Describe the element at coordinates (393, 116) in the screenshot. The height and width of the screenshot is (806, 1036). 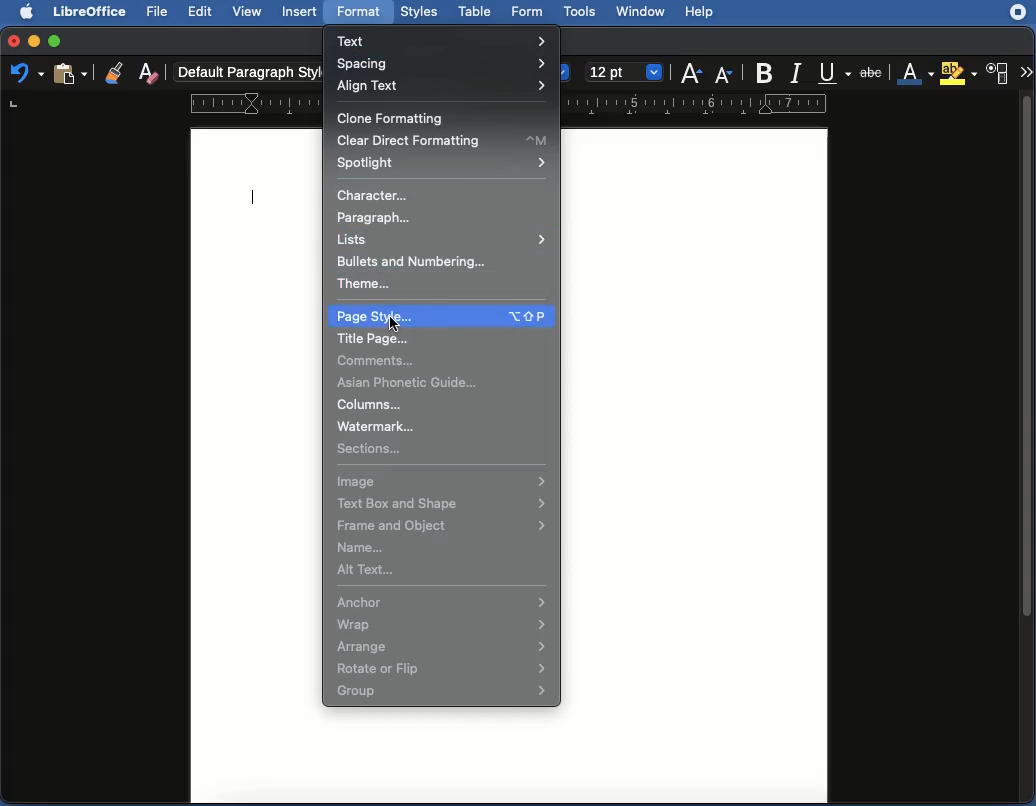
I see `Clone formatting` at that location.